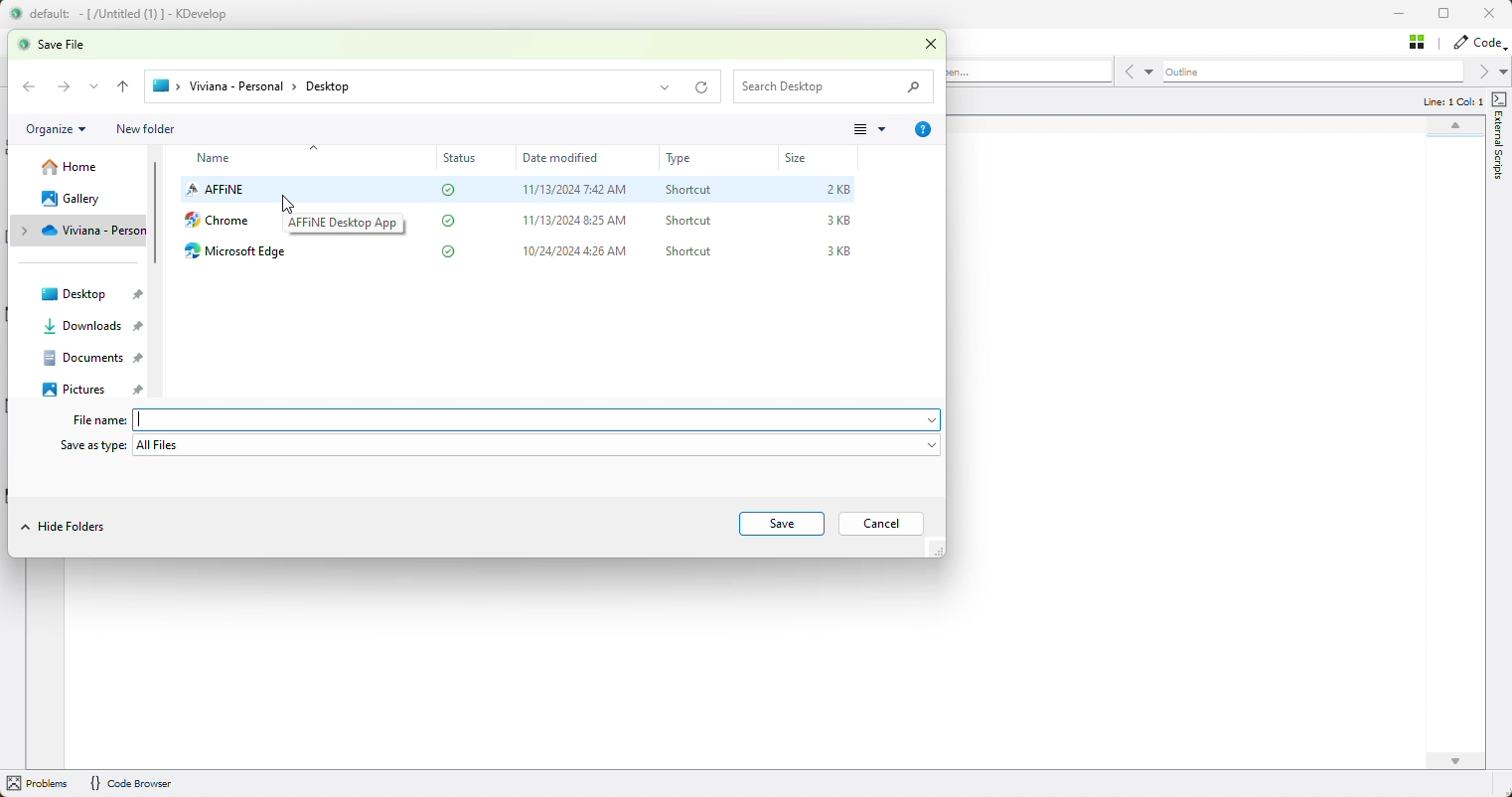 The height and width of the screenshot is (797, 1512). I want to click on scroll down, so click(1455, 761).